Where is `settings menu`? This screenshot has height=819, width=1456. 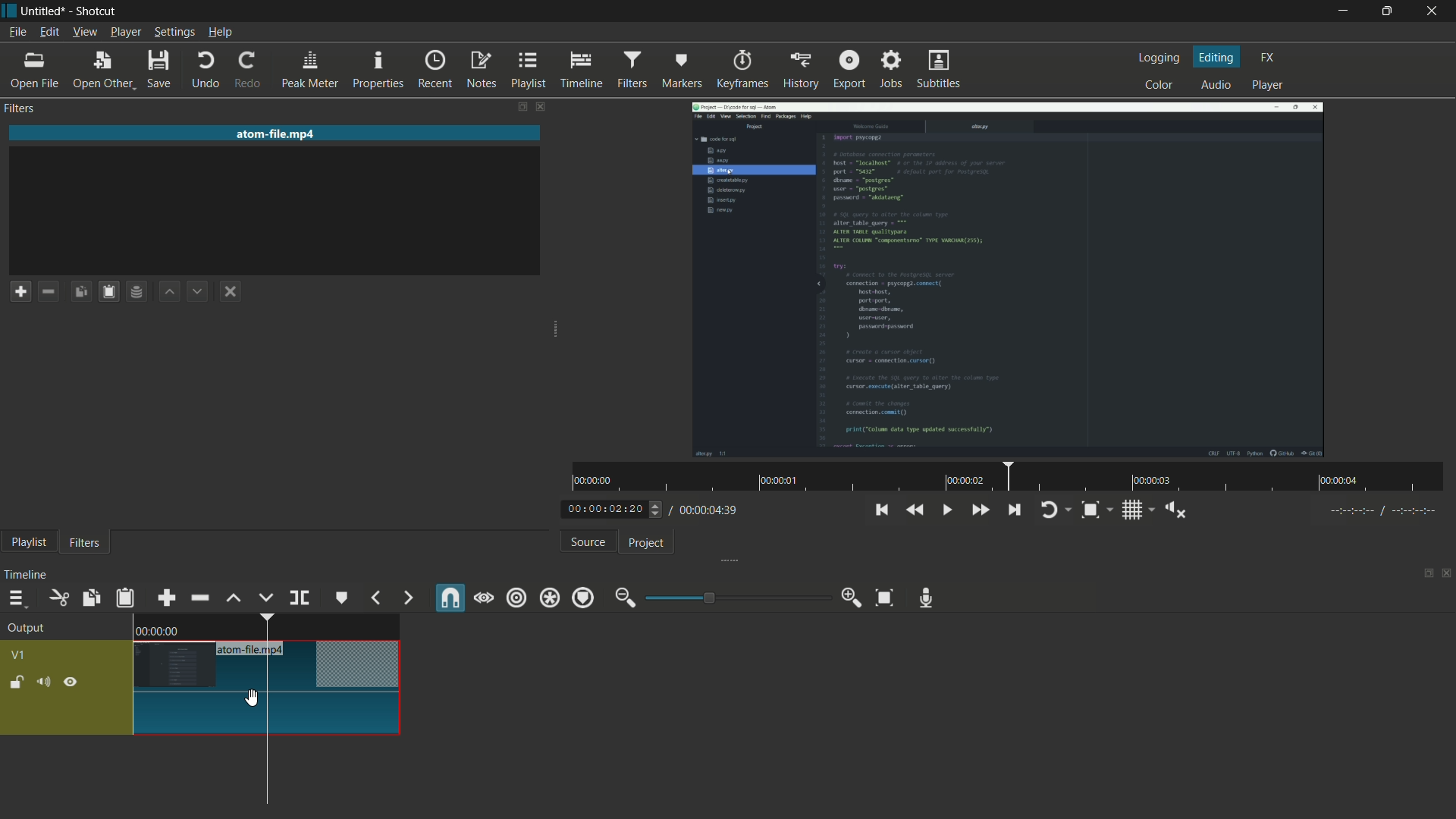 settings menu is located at coordinates (175, 33).